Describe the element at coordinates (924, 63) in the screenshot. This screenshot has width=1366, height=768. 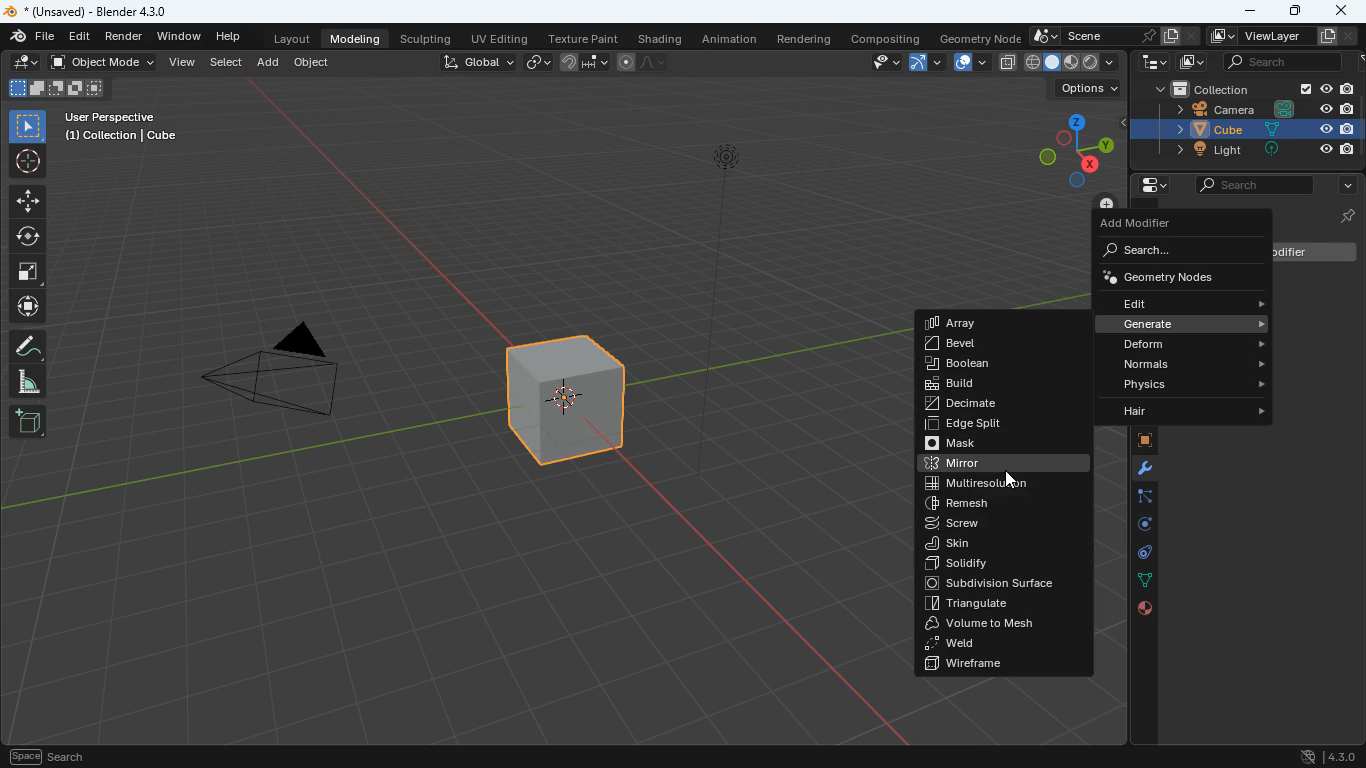
I see `arrow` at that location.